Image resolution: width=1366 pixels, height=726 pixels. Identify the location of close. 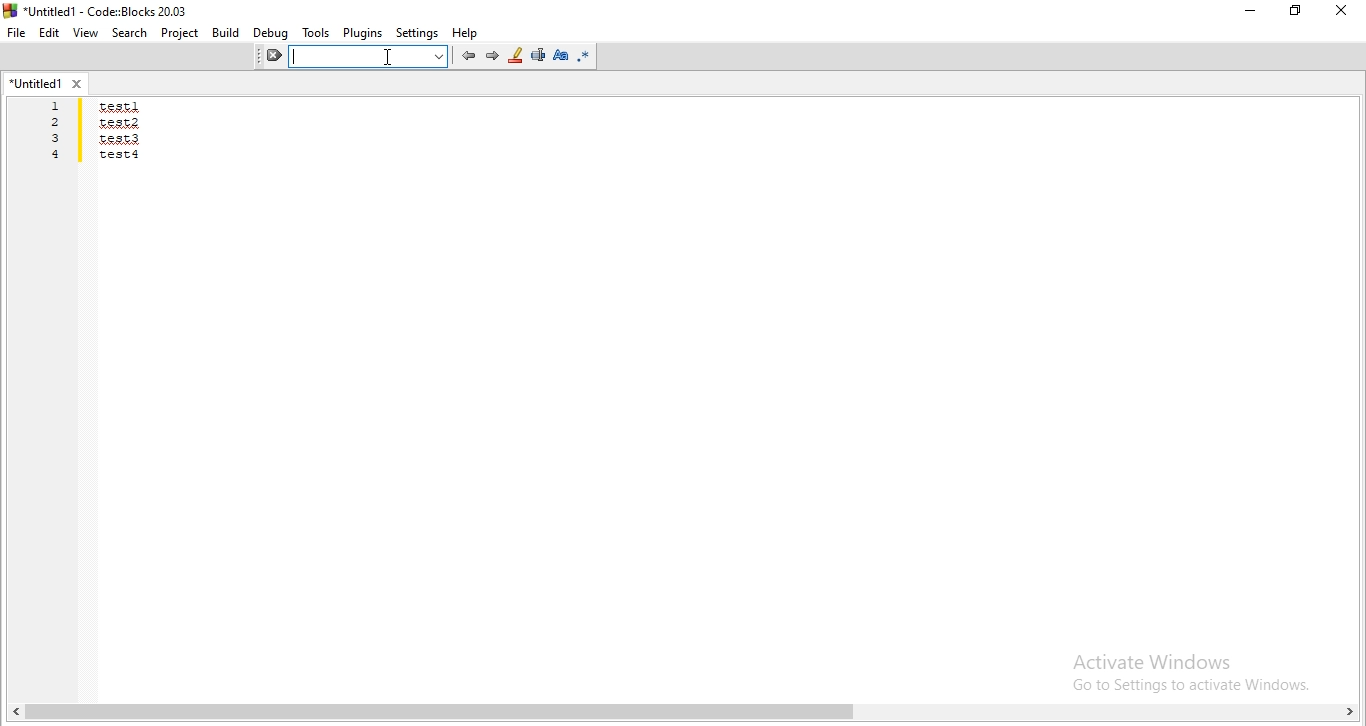
(77, 83).